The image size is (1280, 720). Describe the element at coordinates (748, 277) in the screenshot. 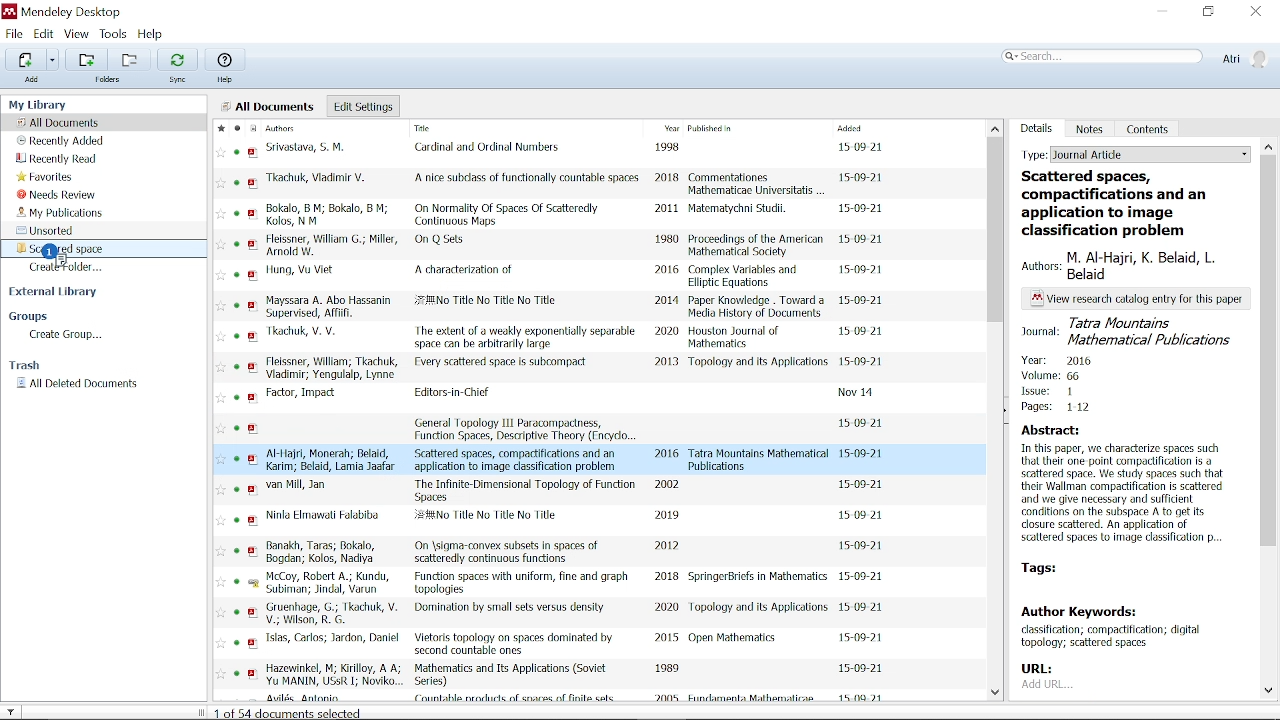

I see `Complex Variables and
Elliptic Equations.` at that location.